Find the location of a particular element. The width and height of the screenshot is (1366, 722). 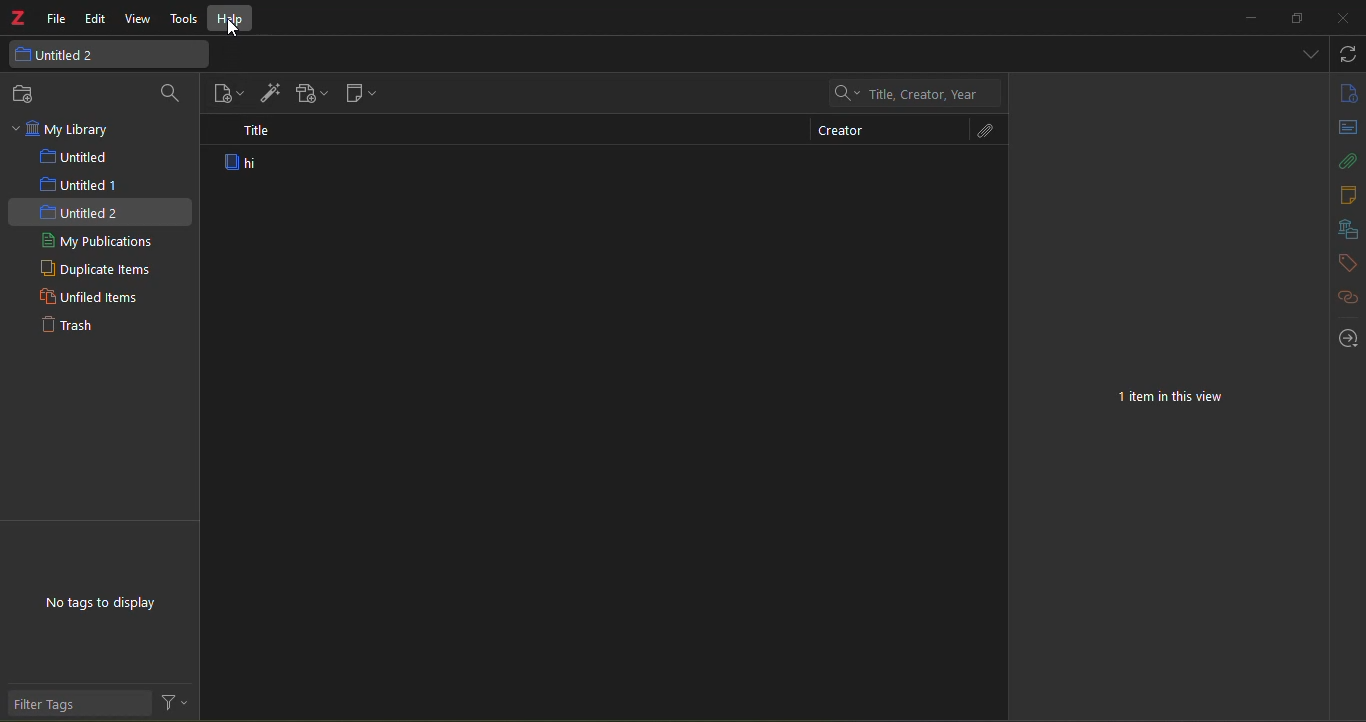

Title, Creator, Year is located at coordinates (910, 93).